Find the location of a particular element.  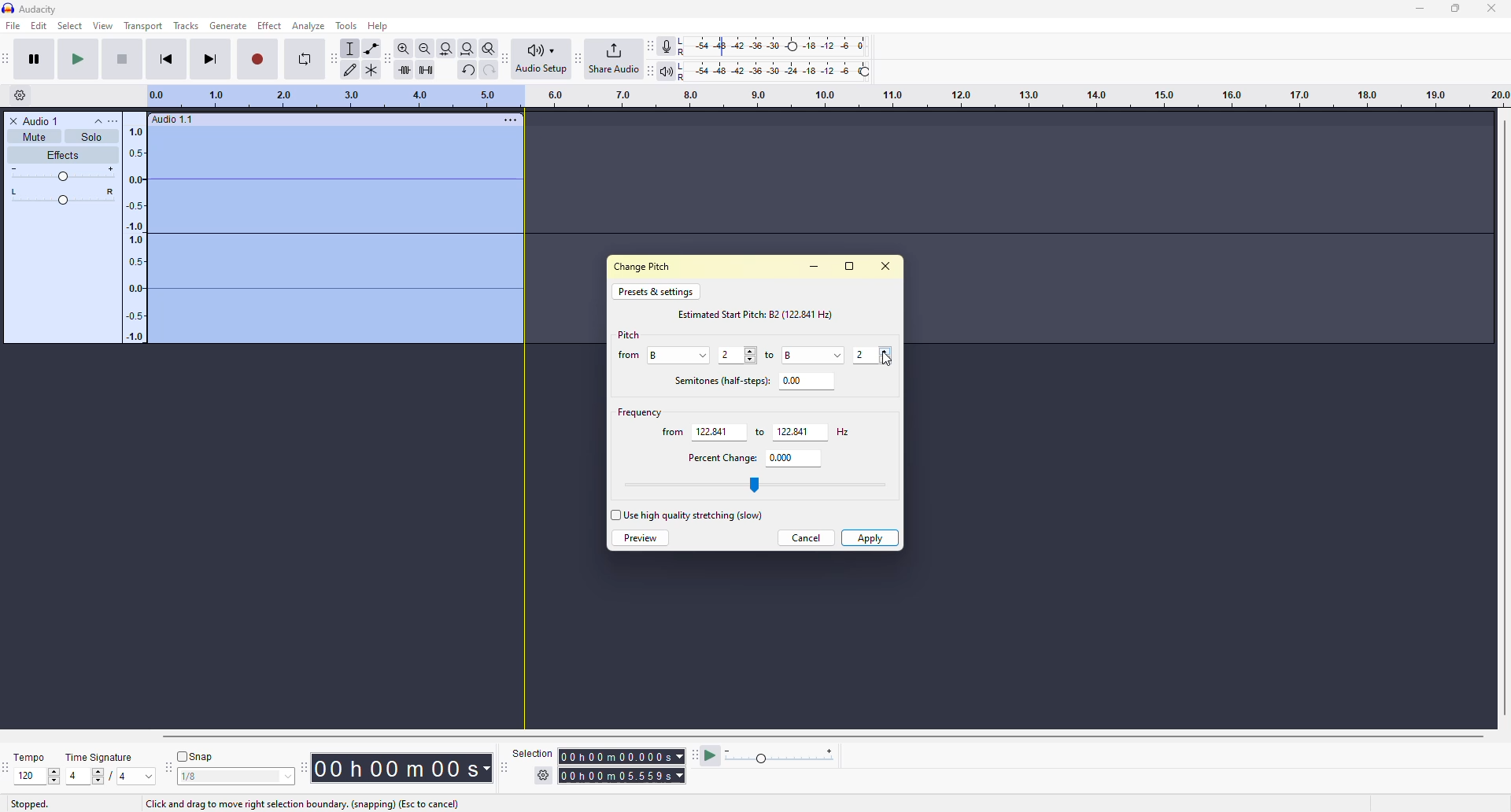

more is located at coordinates (119, 121).